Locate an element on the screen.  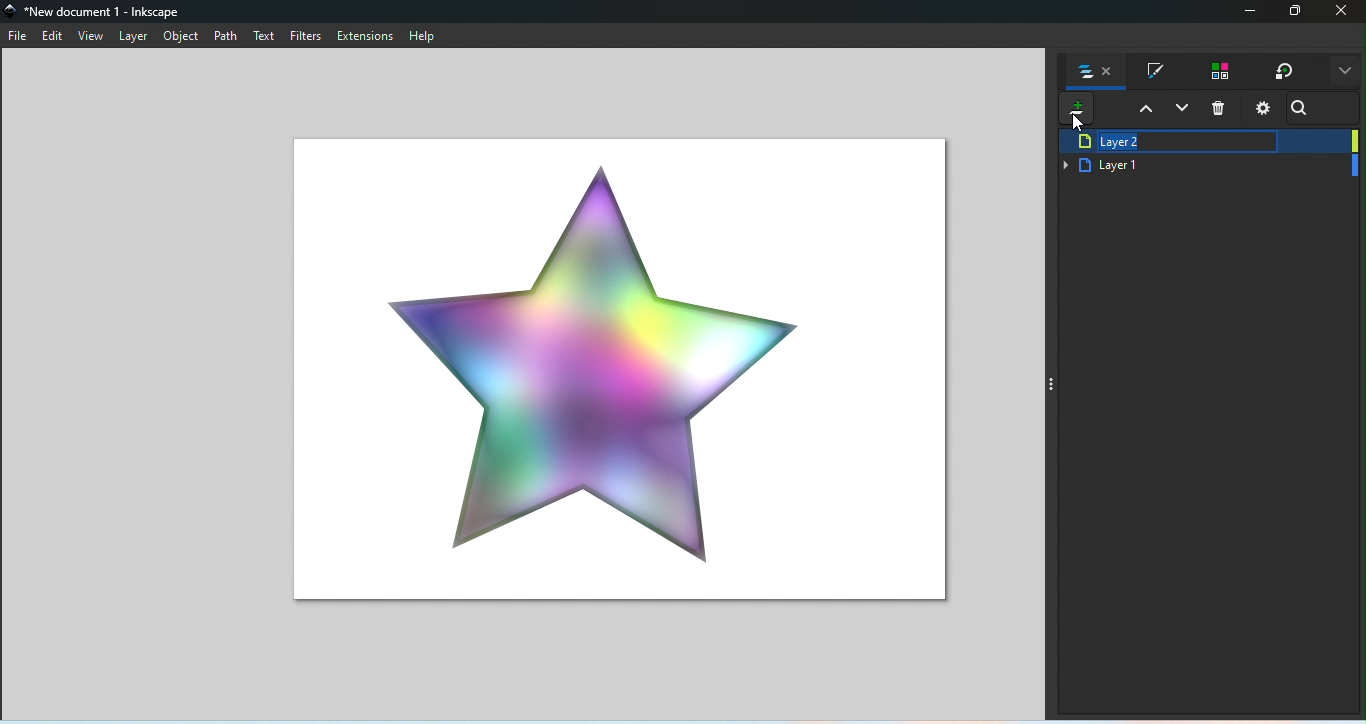
Help is located at coordinates (424, 35).